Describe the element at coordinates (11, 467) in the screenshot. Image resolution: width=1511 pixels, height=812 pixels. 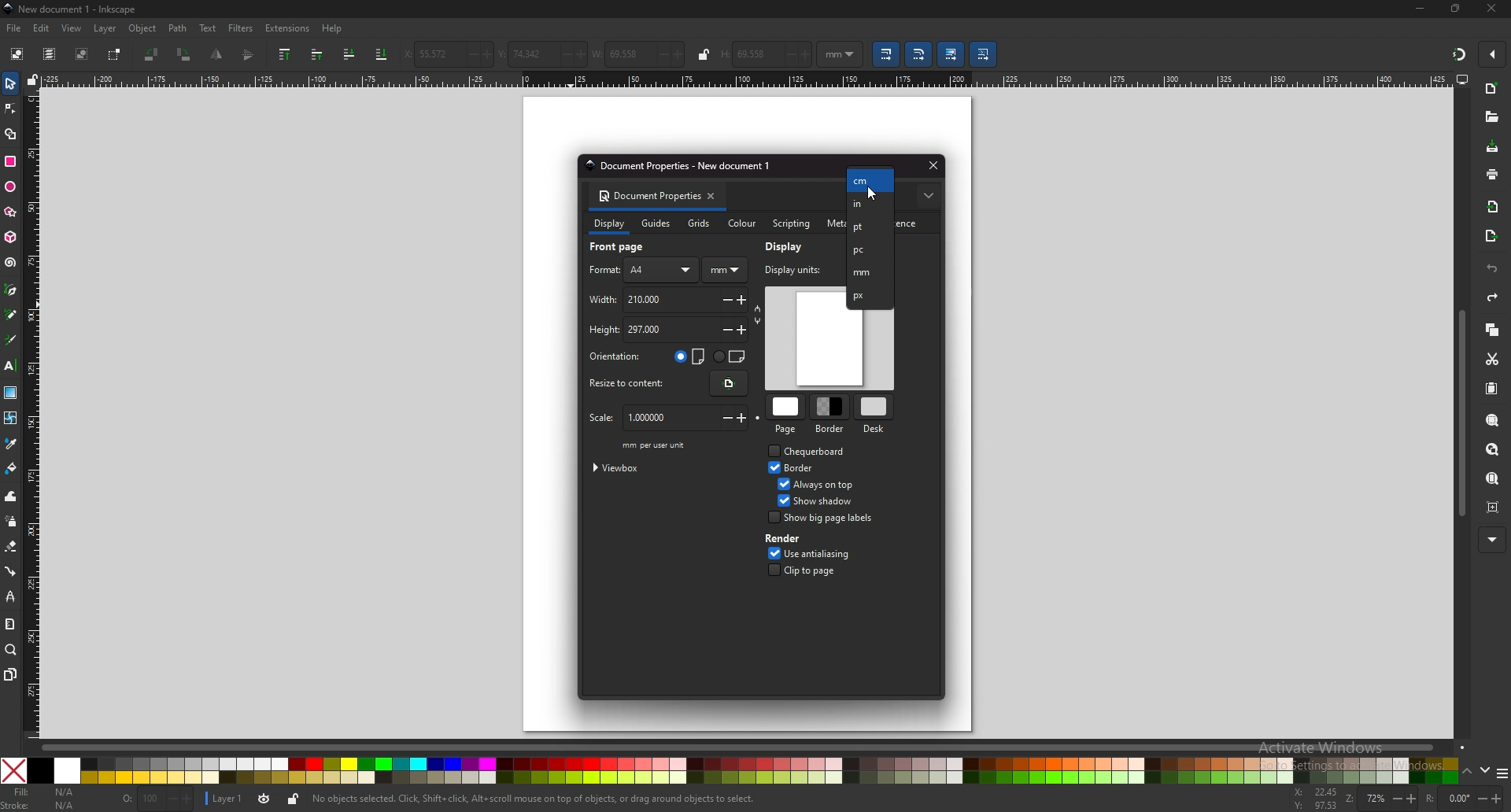
I see `paint bucket` at that location.